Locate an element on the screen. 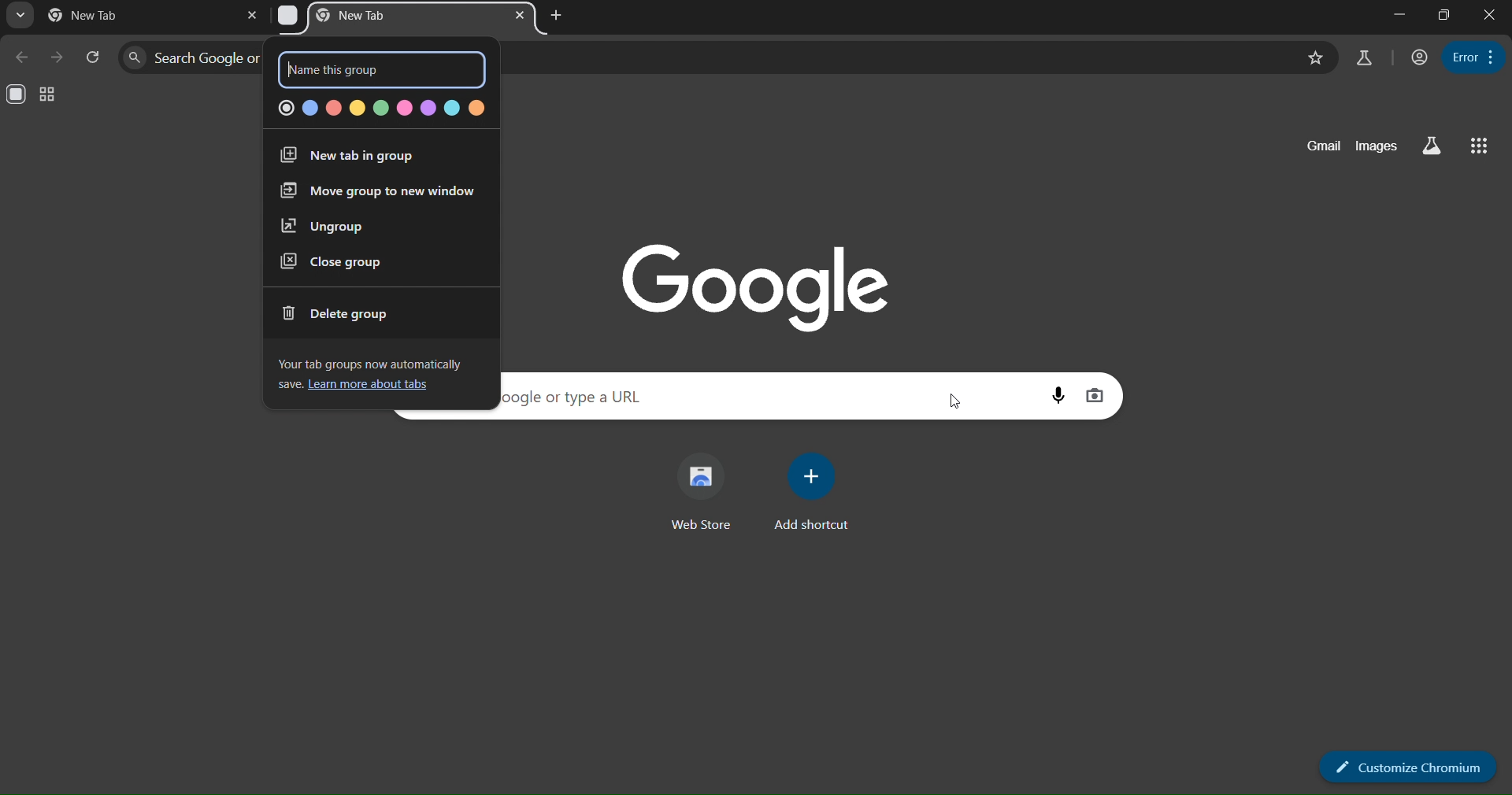 This screenshot has height=795, width=1512. google is located at coordinates (758, 285).